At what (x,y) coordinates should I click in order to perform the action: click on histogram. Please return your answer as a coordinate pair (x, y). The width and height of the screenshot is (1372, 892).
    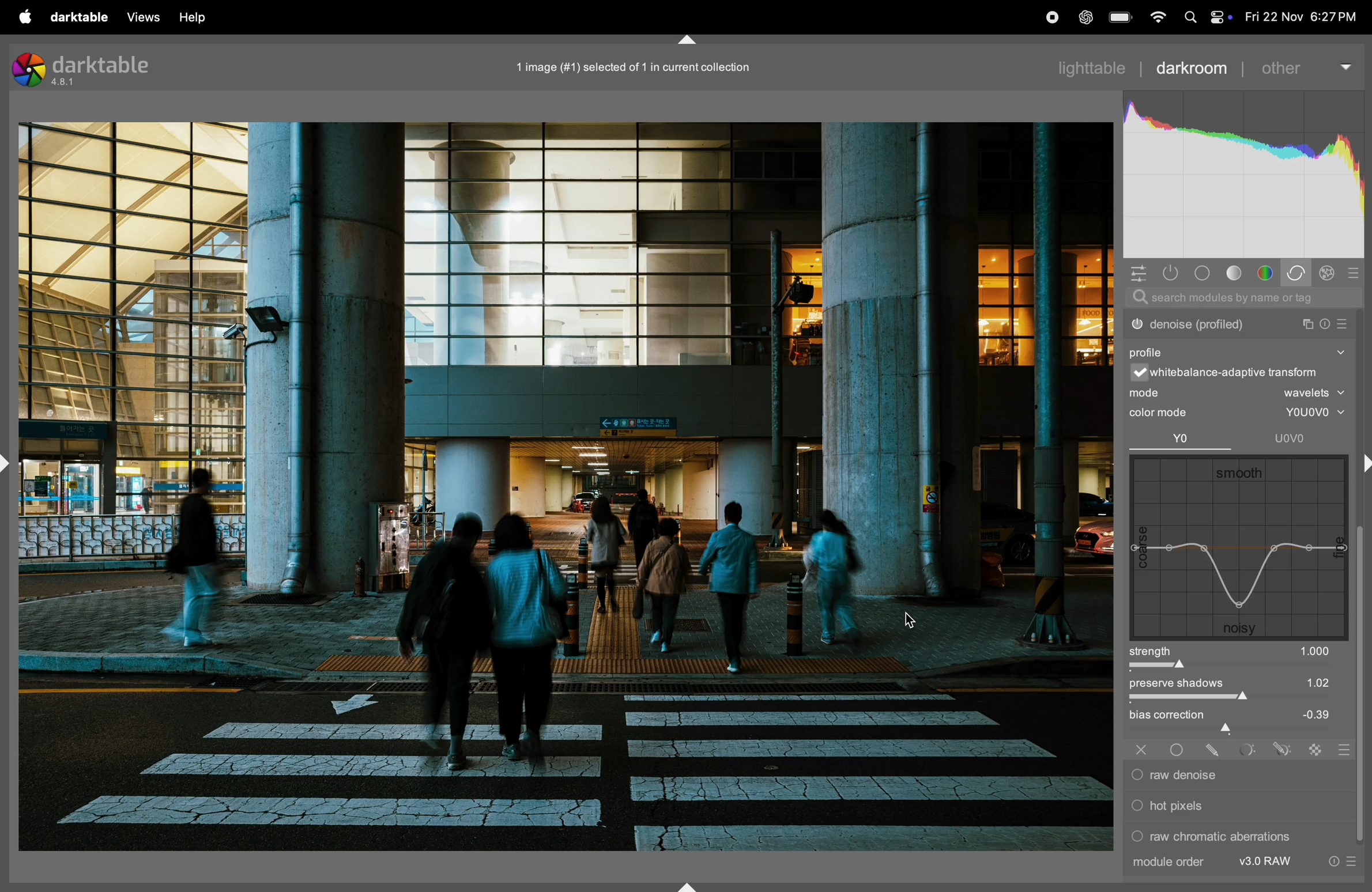
    Looking at the image, I should click on (1243, 175).